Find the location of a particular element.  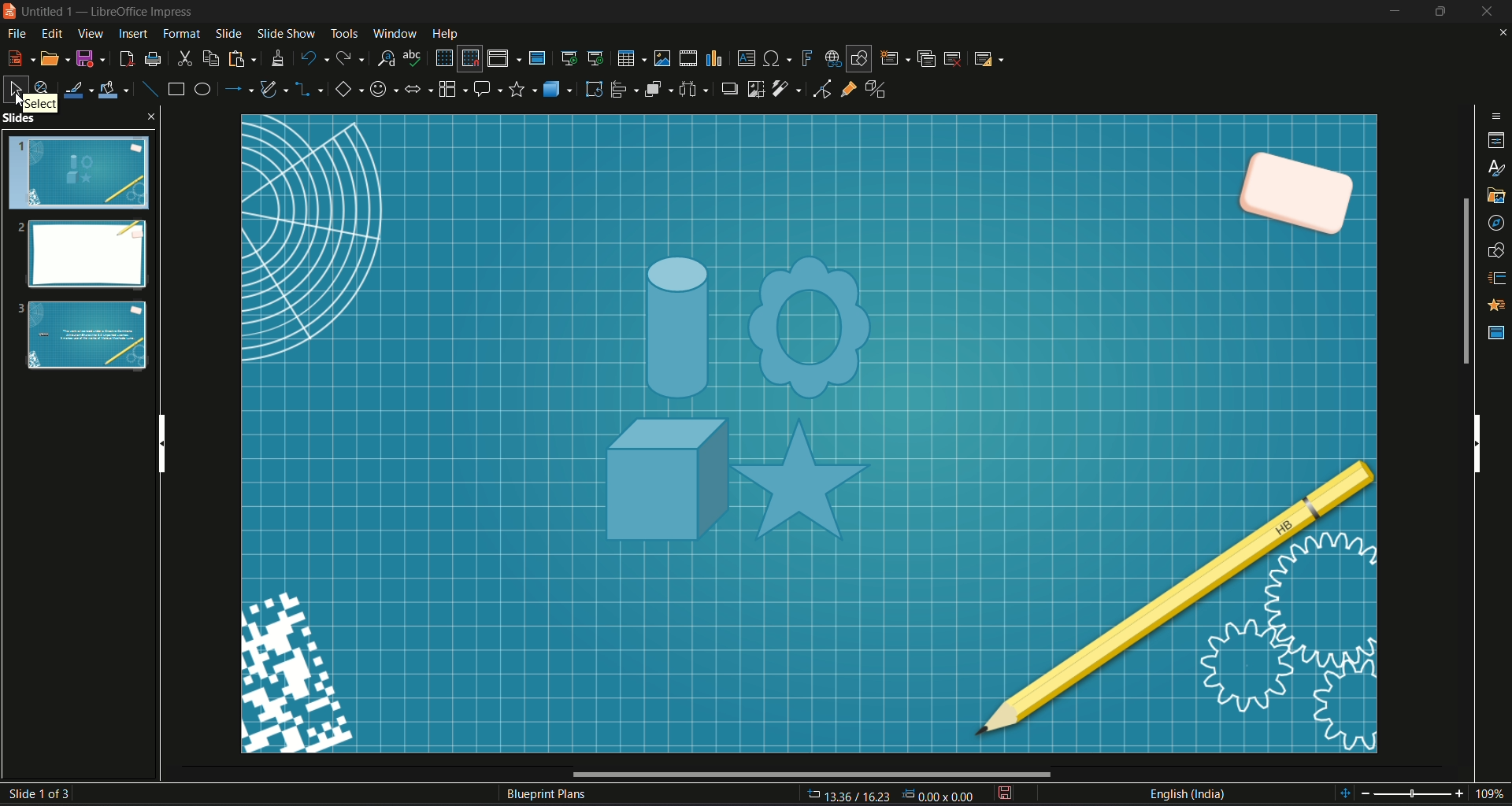

find and replace is located at coordinates (384, 57).